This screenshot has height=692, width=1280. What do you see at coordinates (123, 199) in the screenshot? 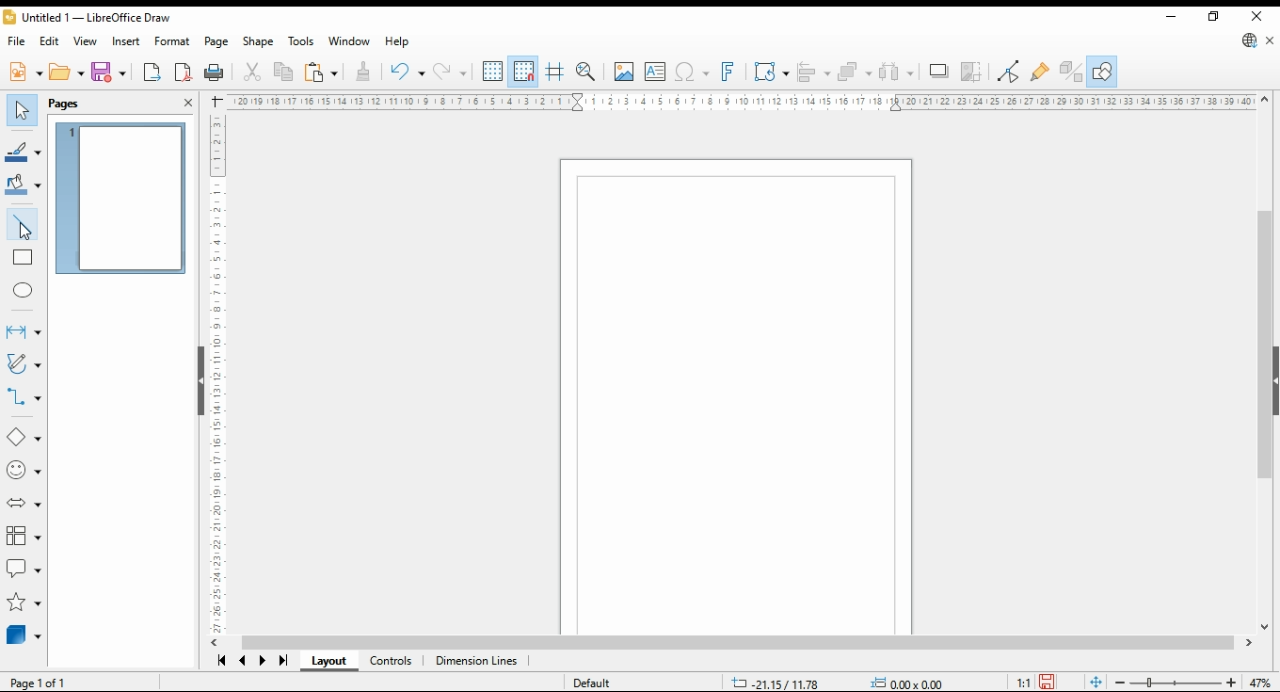
I see `page 1` at bounding box center [123, 199].